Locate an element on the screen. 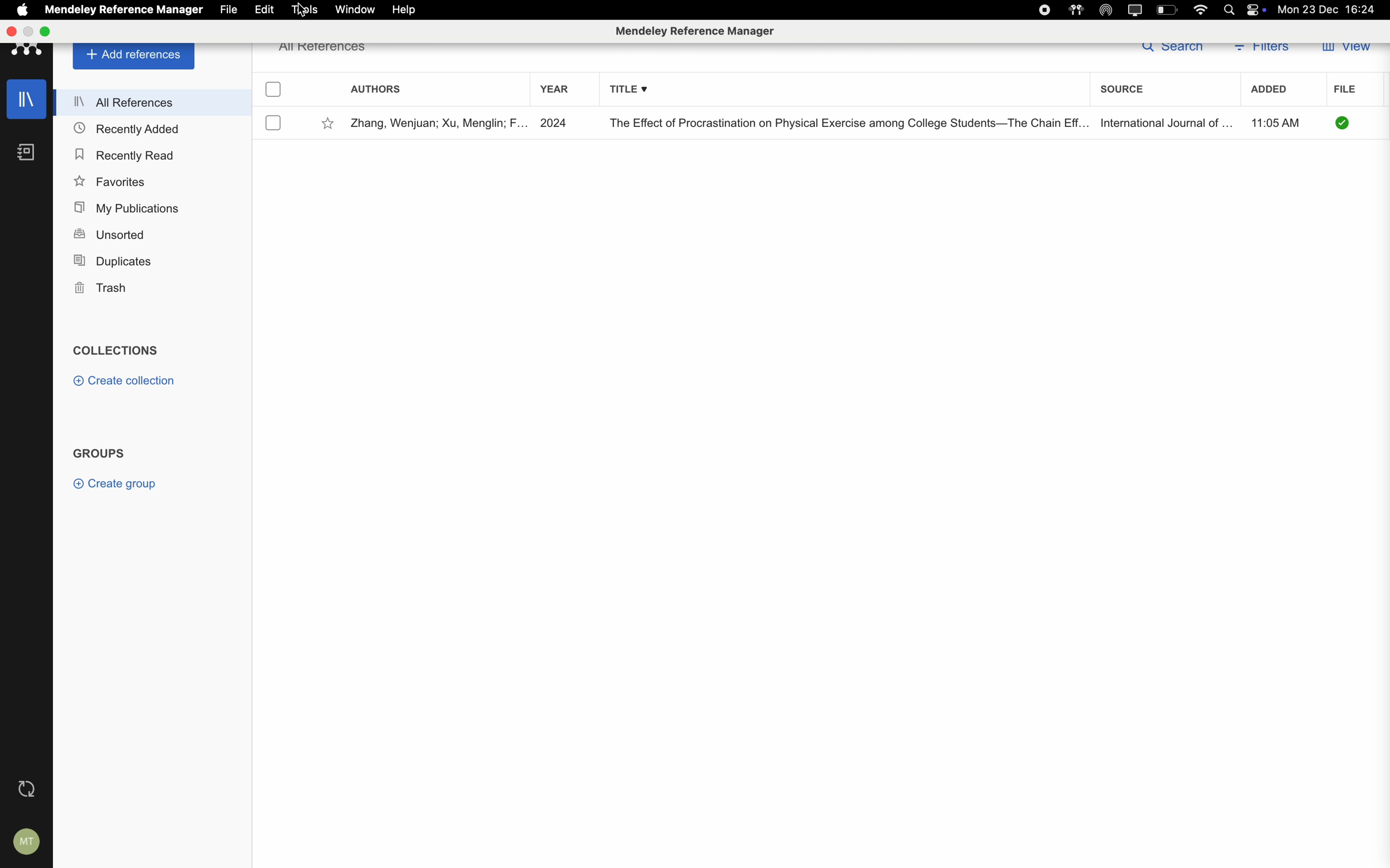  favorites is located at coordinates (112, 180).